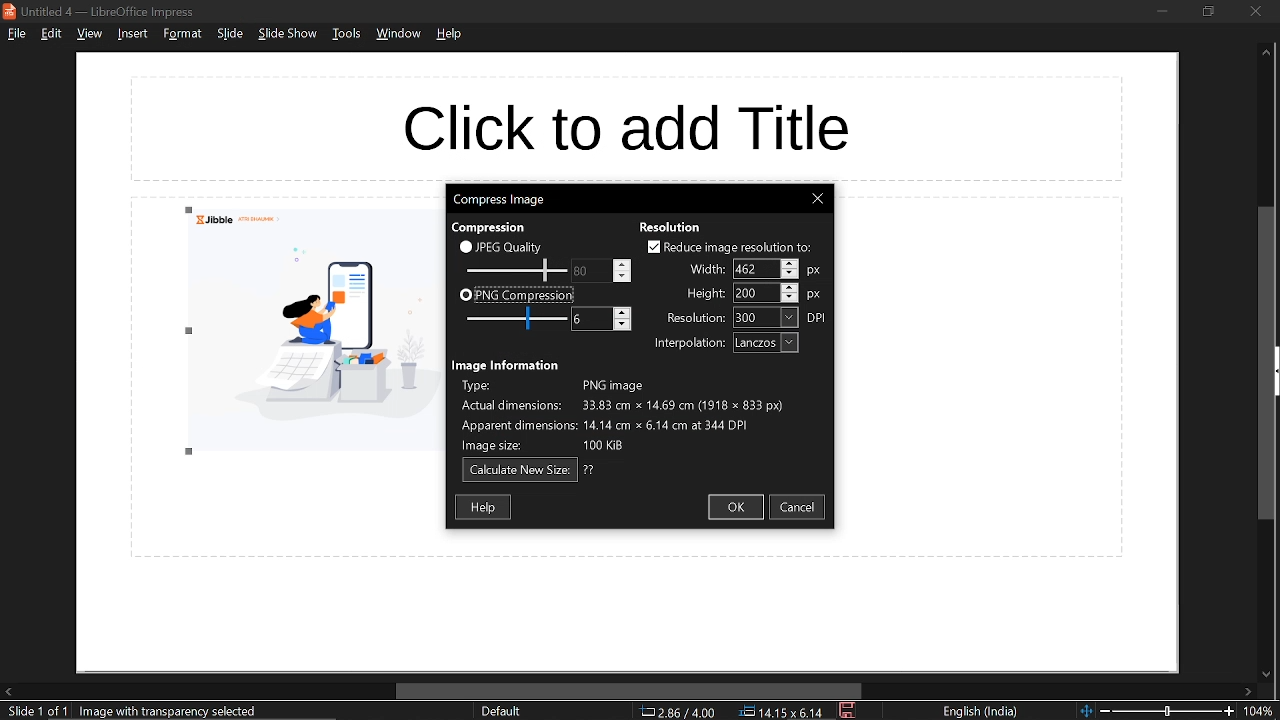 The image size is (1280, 720). What do you see at coordinates (590, 470) in the screenshot?
I see `question mark` at bounding box center [590, 470].